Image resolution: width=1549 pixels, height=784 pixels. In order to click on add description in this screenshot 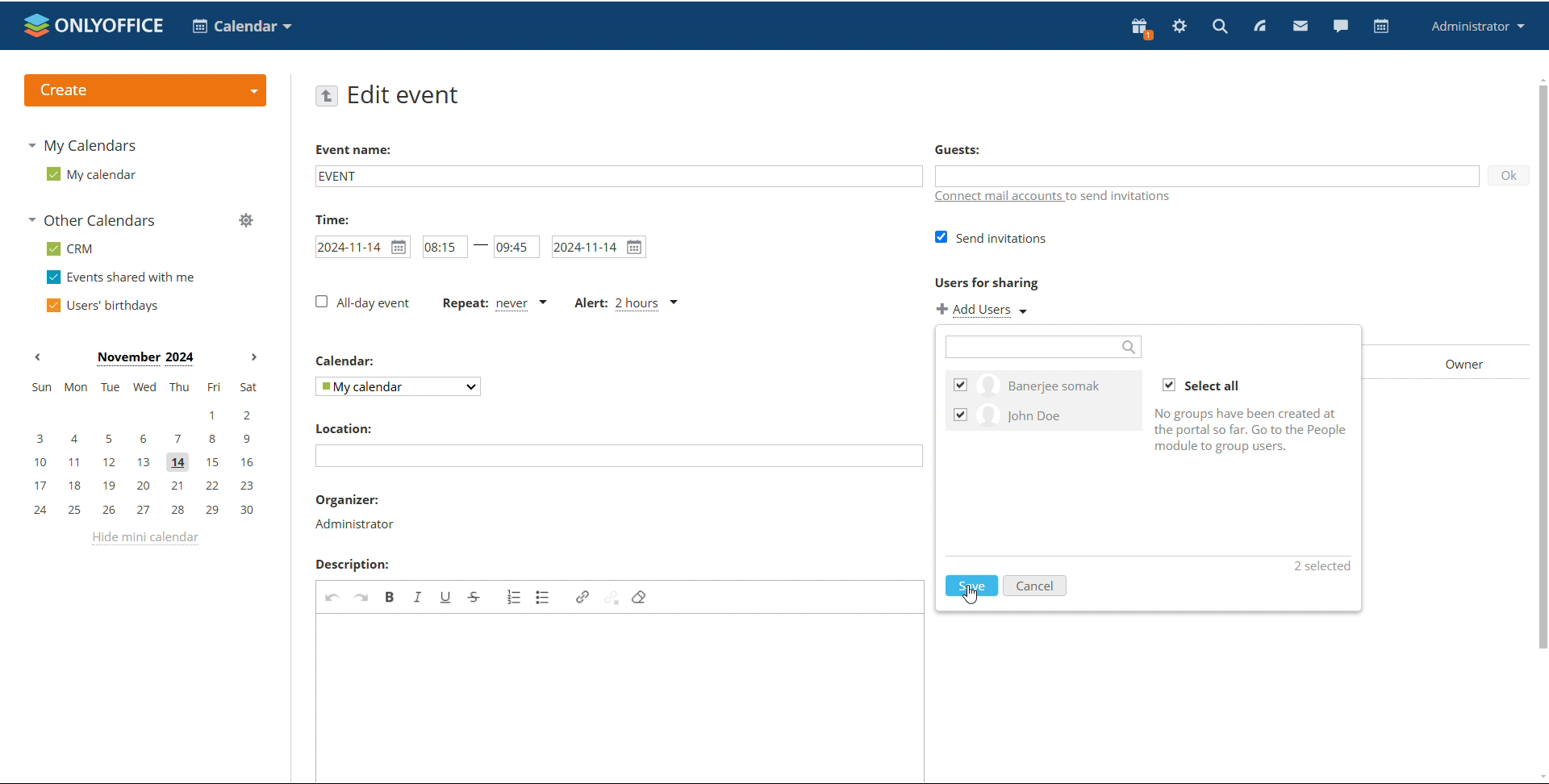, I will do `click(622, 697)`.